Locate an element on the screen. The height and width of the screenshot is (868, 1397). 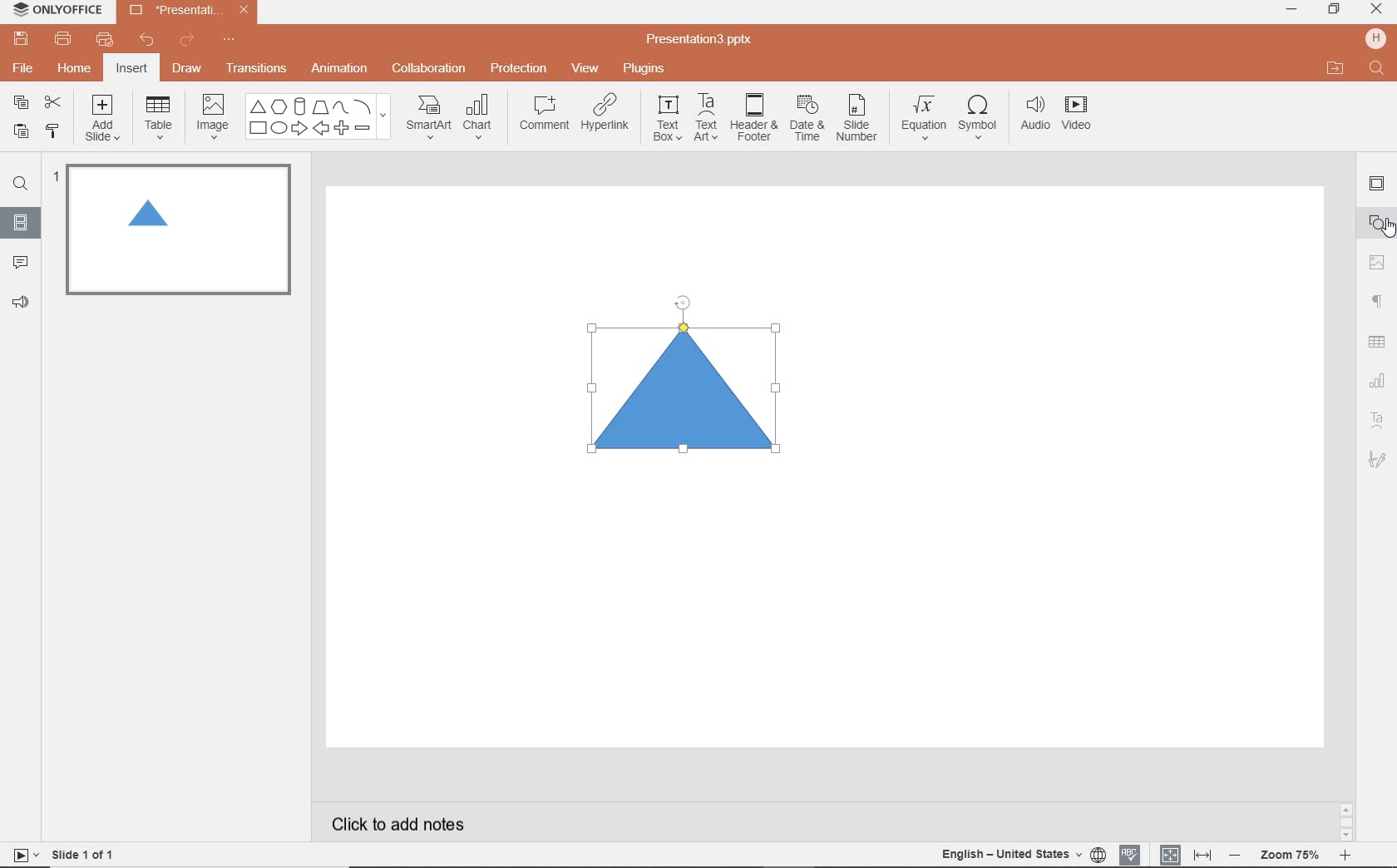
PRINT is located at coordinates (62, 40).